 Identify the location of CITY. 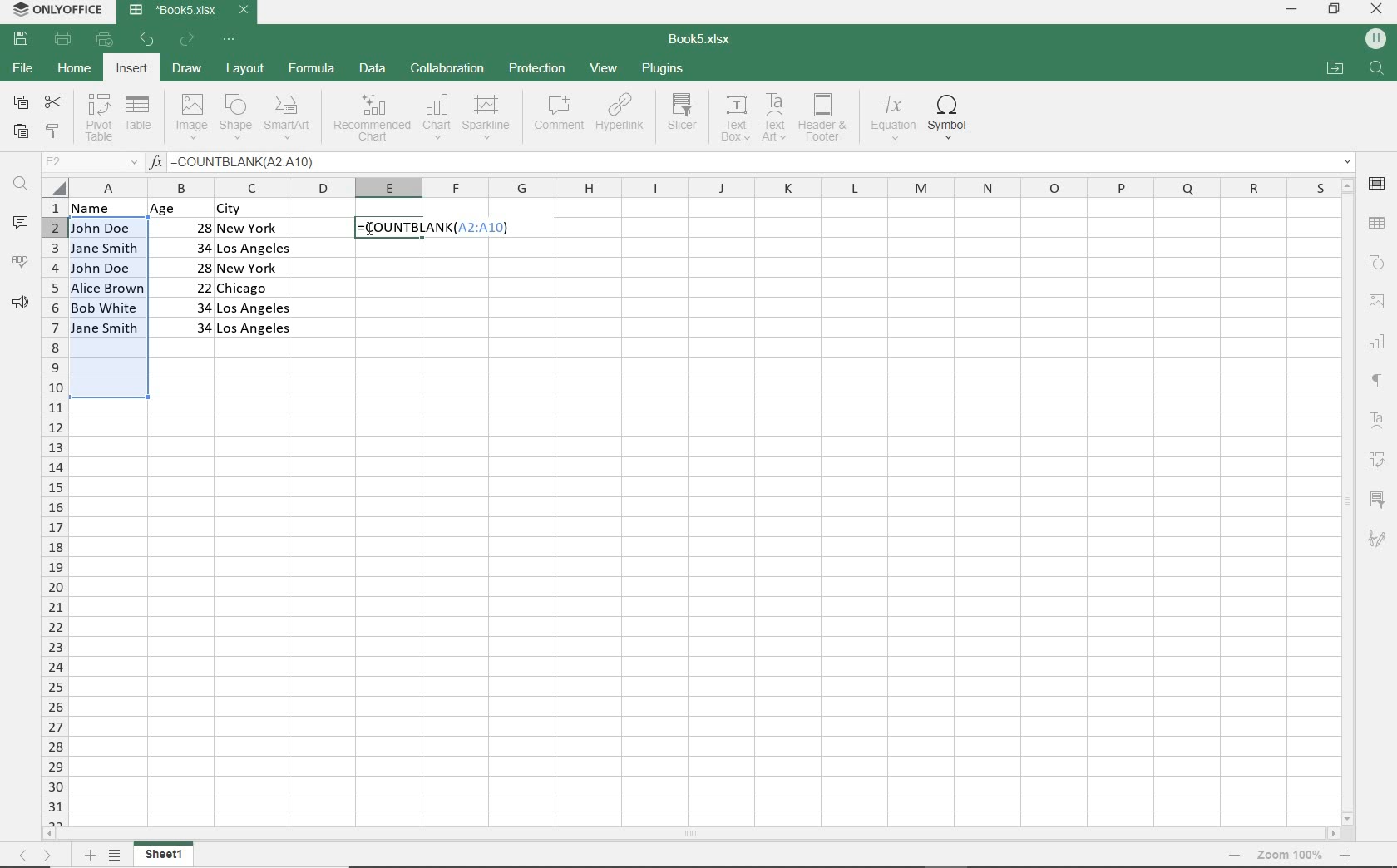
(254, 209).